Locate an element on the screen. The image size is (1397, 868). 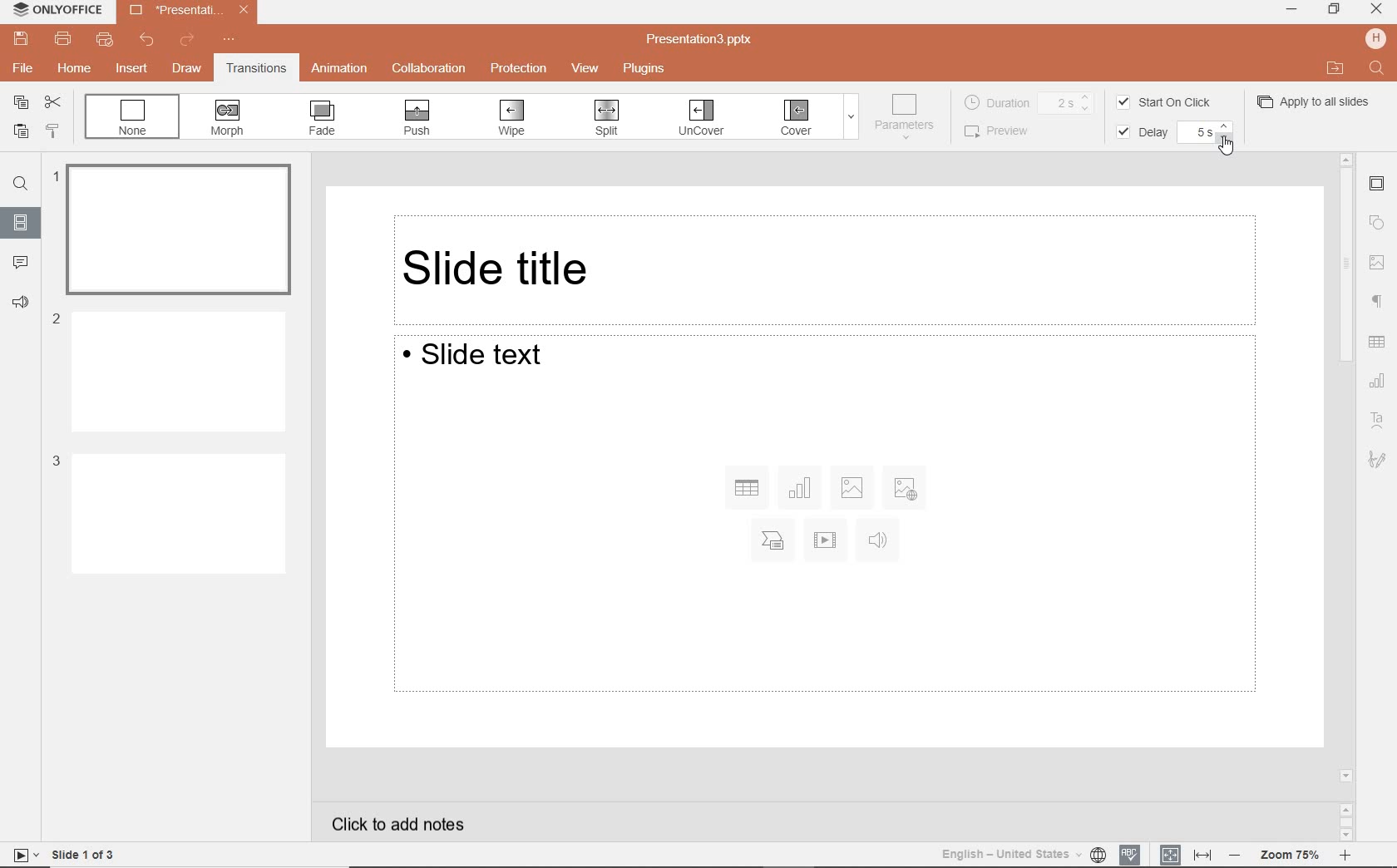
MORPH is located at coordinates (228, 118).